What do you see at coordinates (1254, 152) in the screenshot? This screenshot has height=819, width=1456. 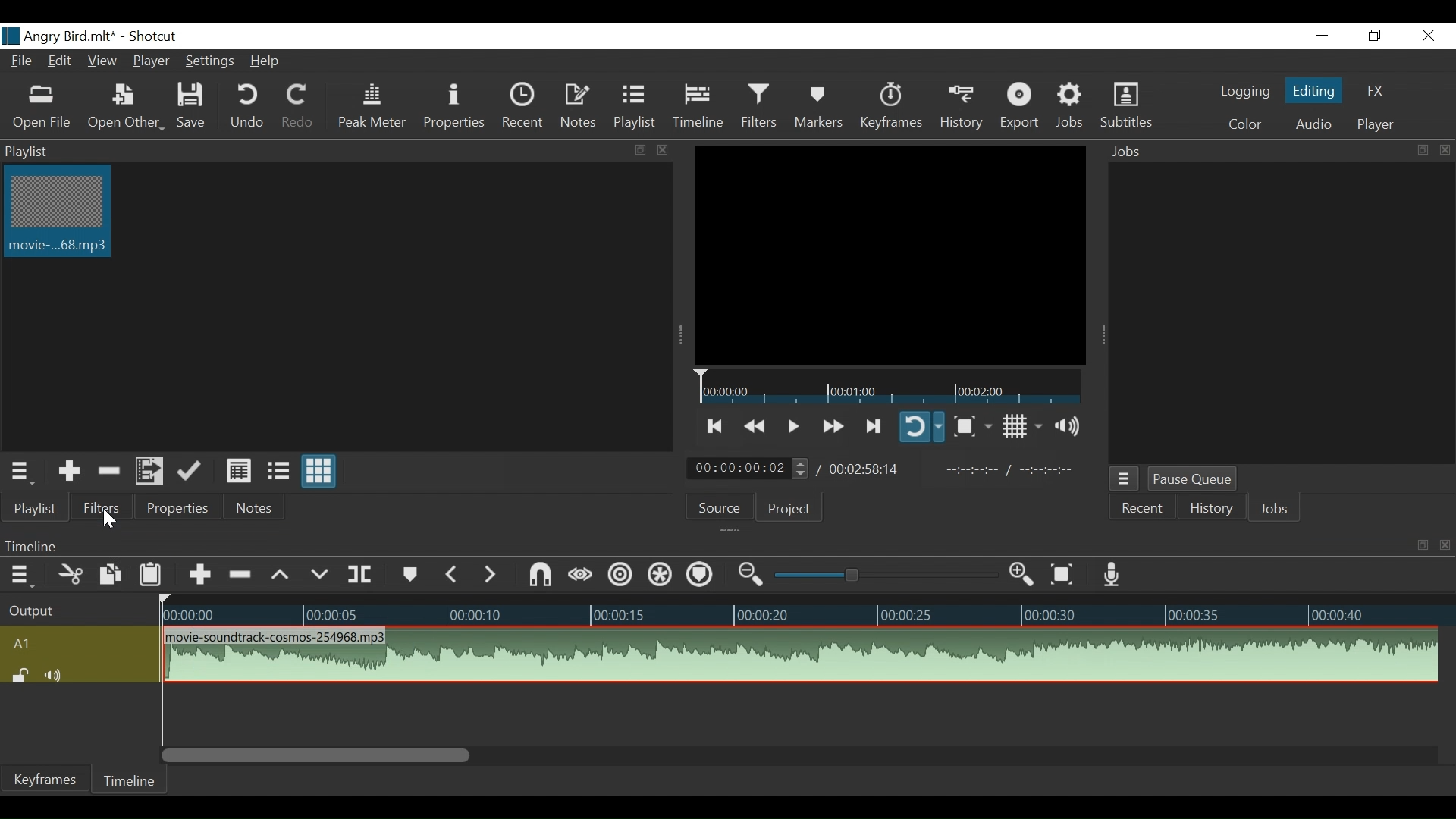 I see `Jobs` at bounding box center [1254, 152].